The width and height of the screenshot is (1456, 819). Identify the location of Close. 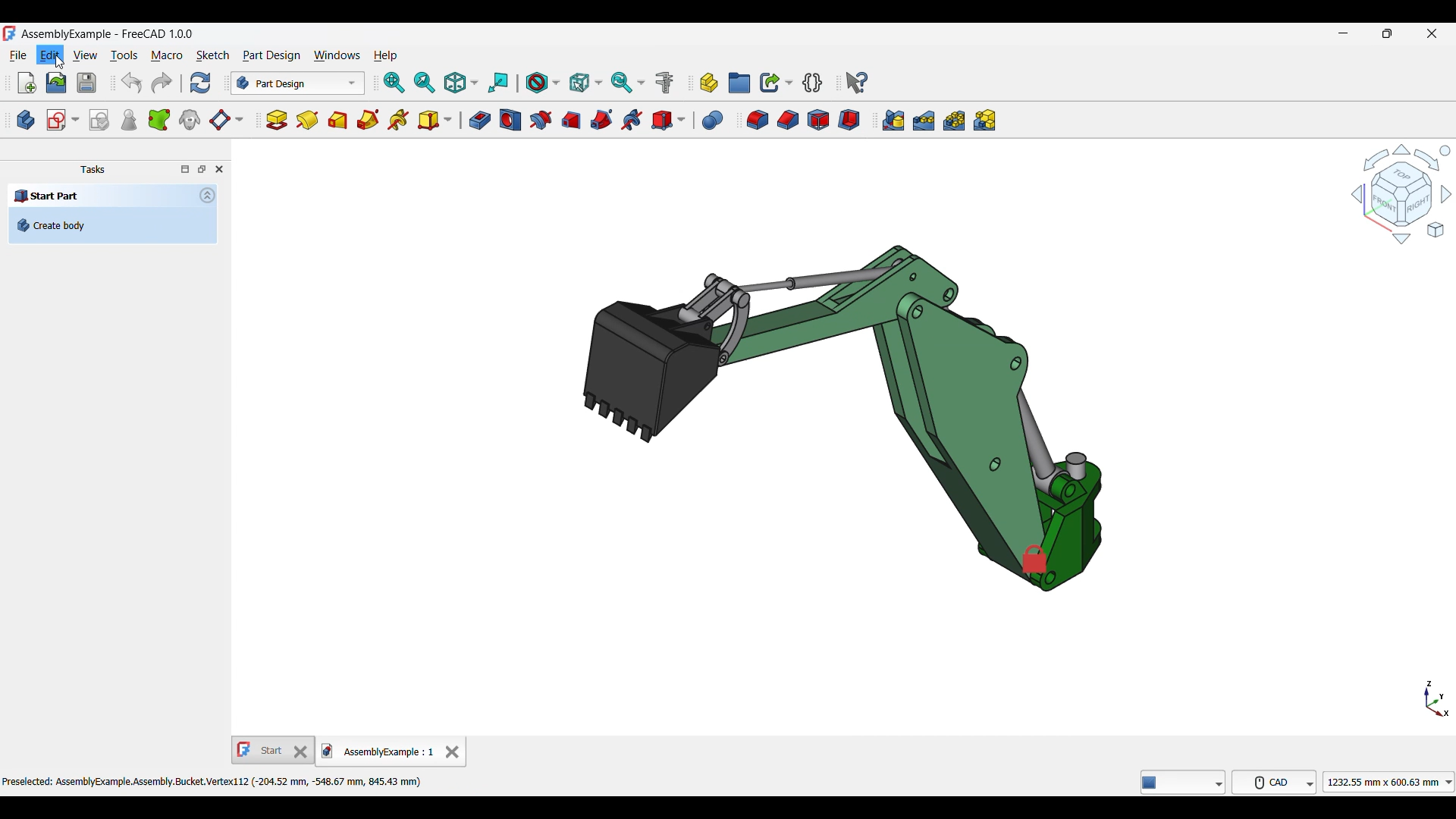
(219, 169).